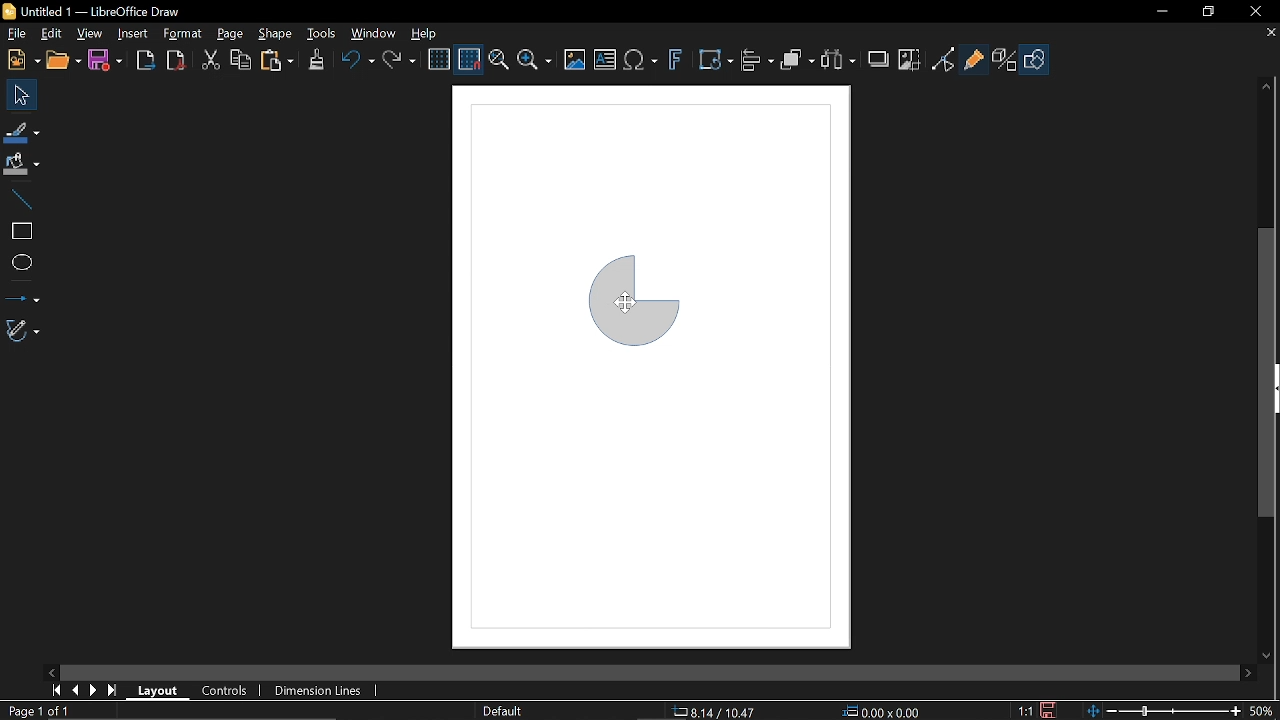 The width and height of the screenshot is (1280, 720). Describe the element at coordinates (230, 32) in the screenshot. I see `page` at that location.